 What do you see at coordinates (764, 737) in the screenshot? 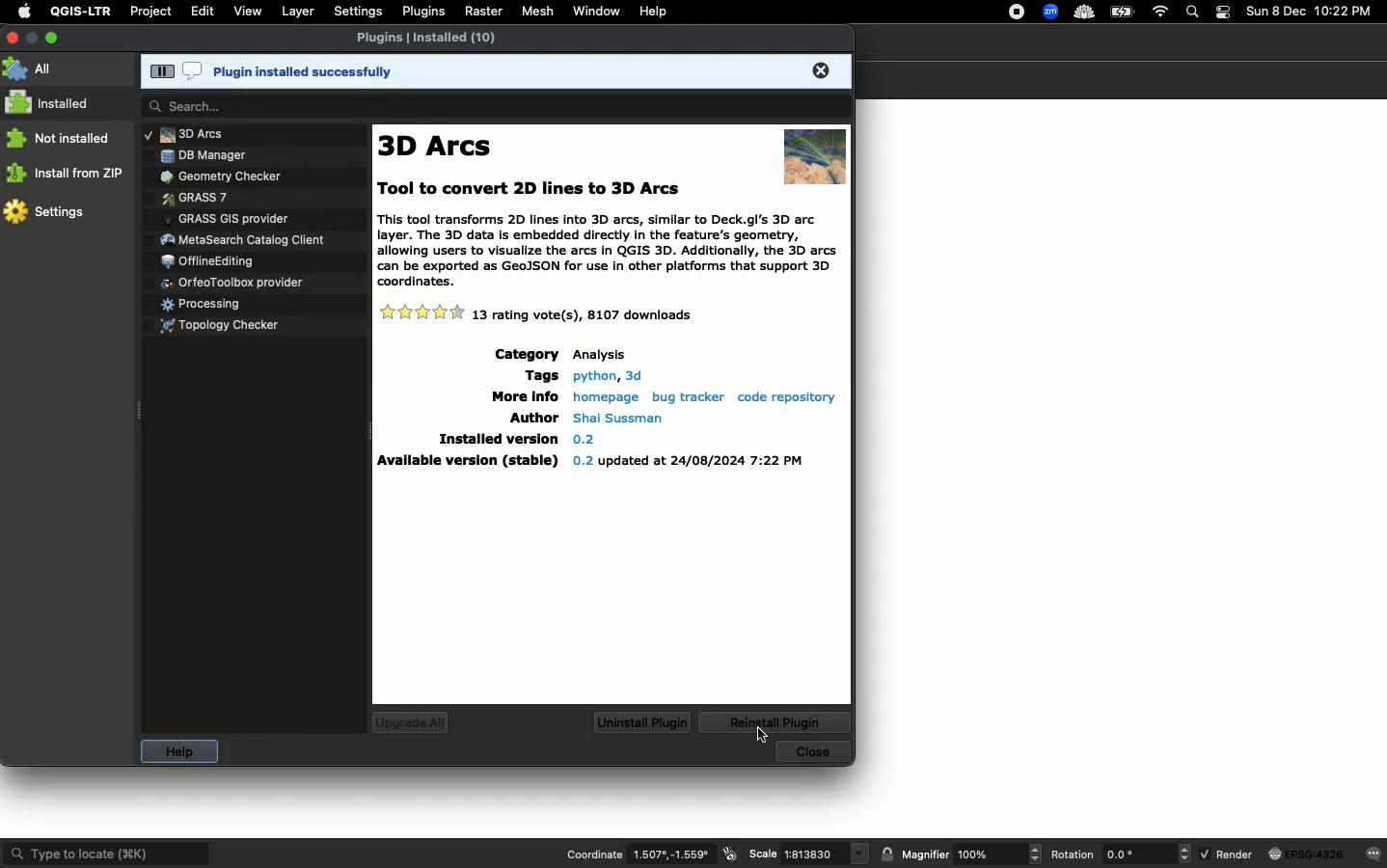
I see `cursor` at bounding box center [764, 737].